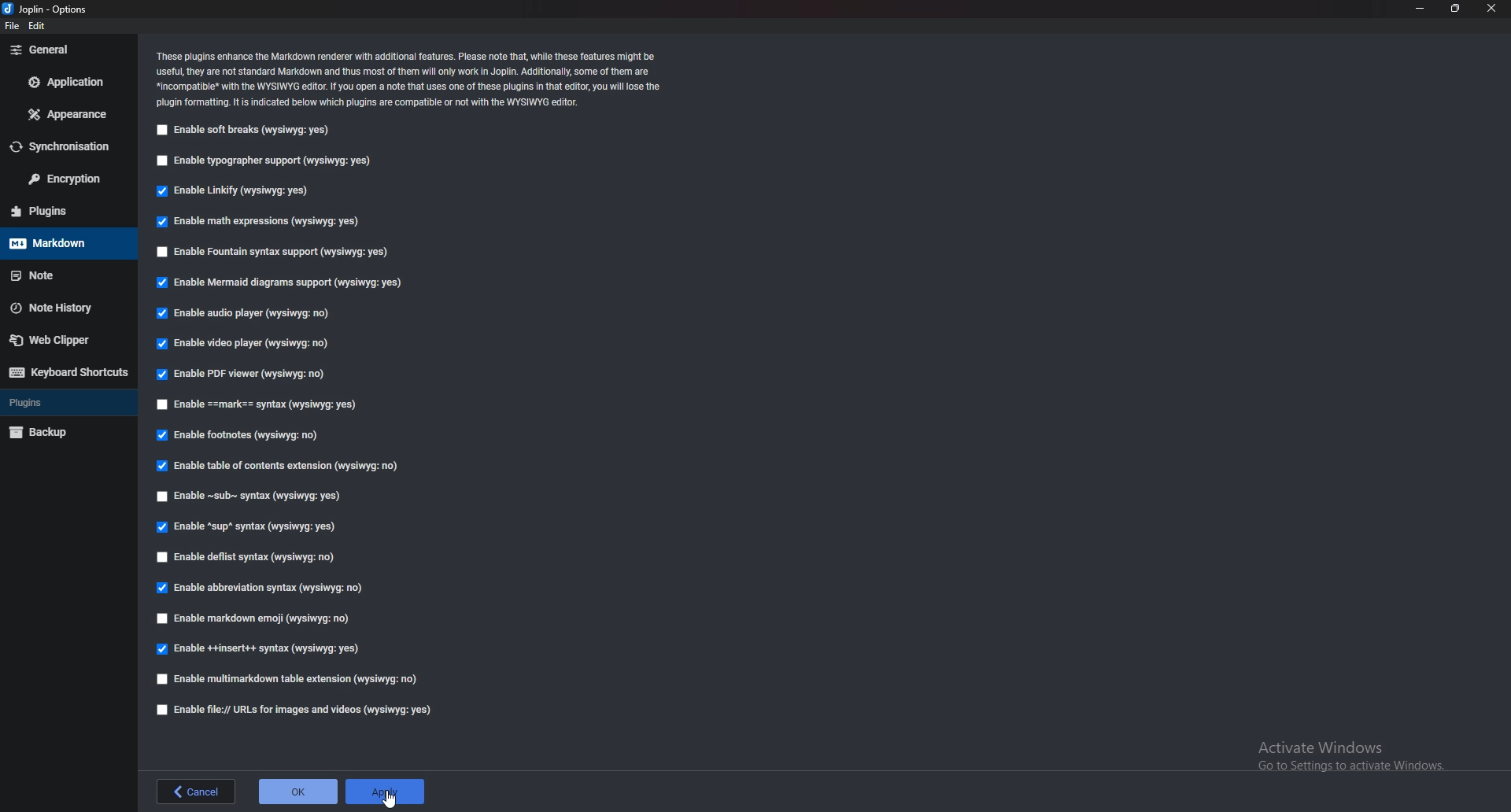 The width and height of the screenshot is (1511, 812). Describe the element at coordinates (1492, 9) in the screenshot. I see `close` at that location.